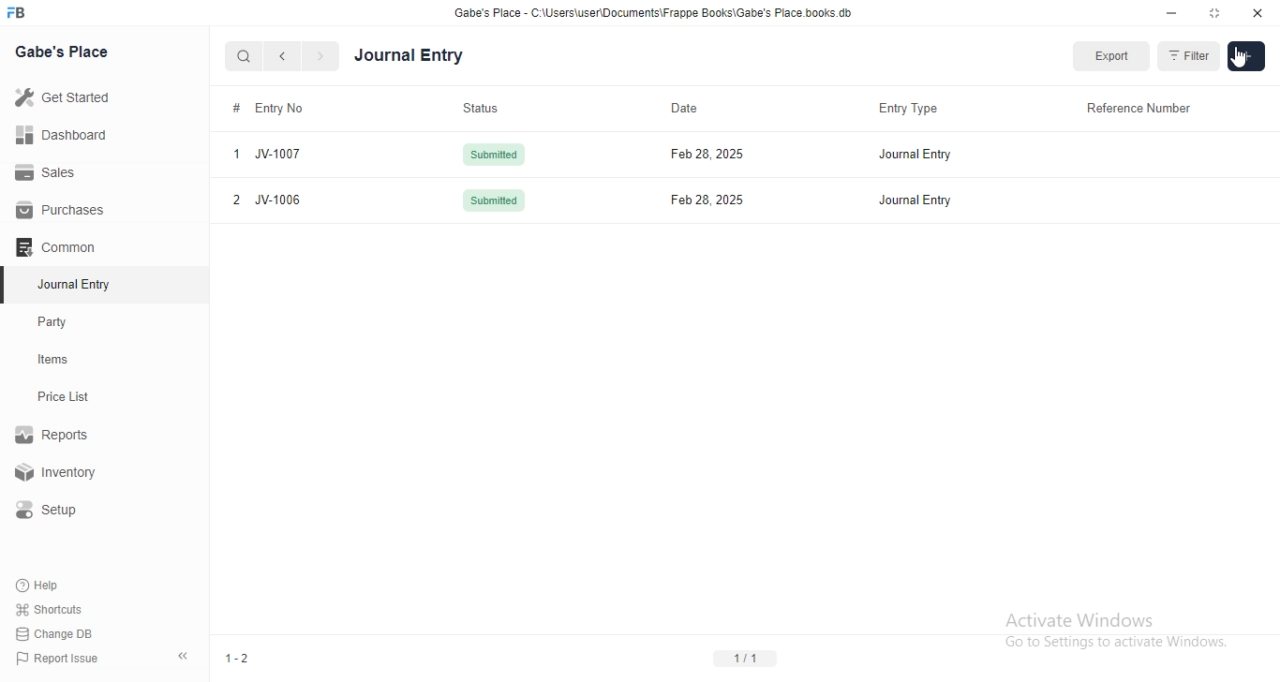 This screenshot has height=682, width=1280. I want to click on minimize, so click(1172, 13).